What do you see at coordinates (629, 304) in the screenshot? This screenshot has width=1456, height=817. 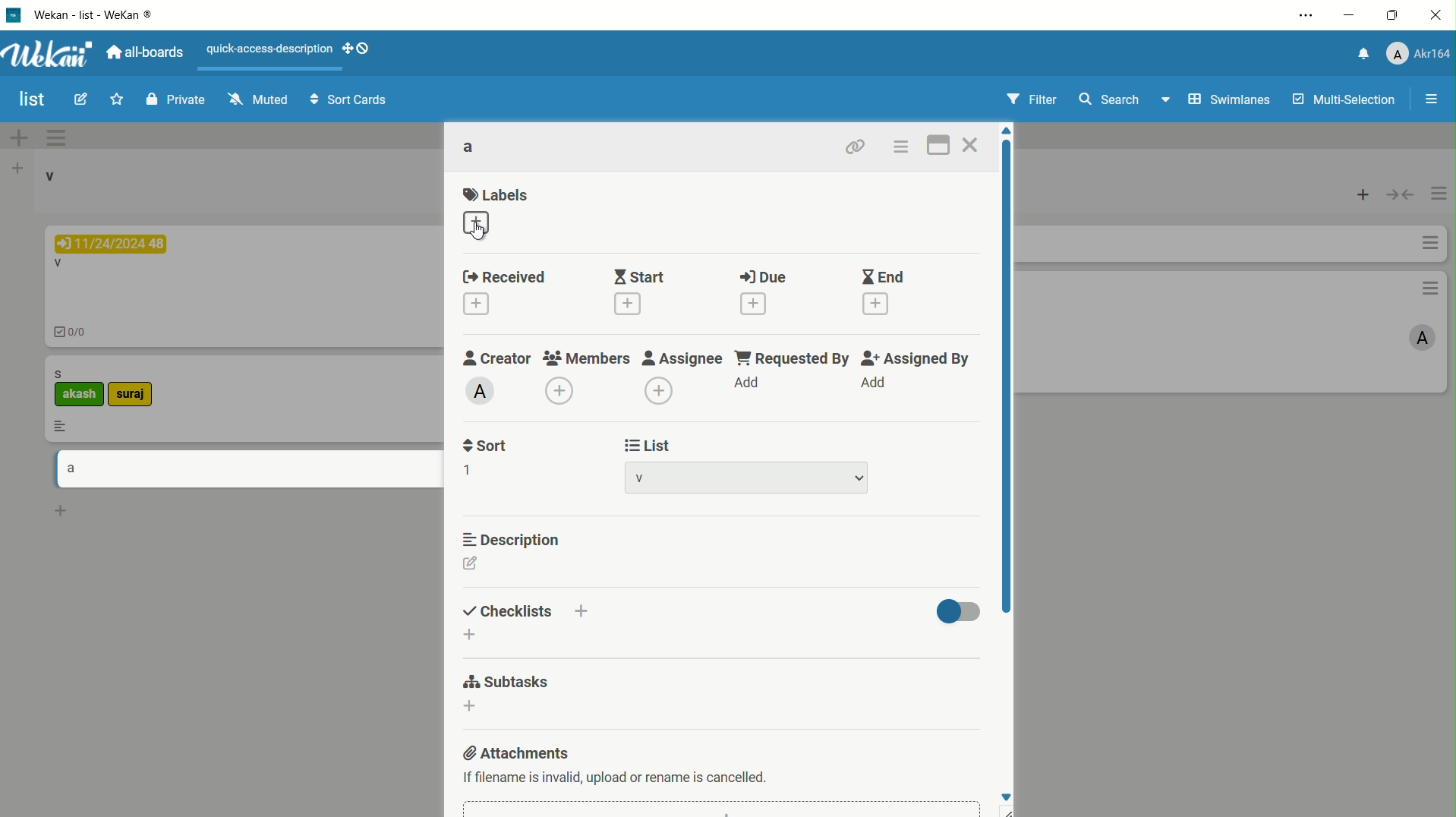 I see `add start date` at bounding box center [629, 304].